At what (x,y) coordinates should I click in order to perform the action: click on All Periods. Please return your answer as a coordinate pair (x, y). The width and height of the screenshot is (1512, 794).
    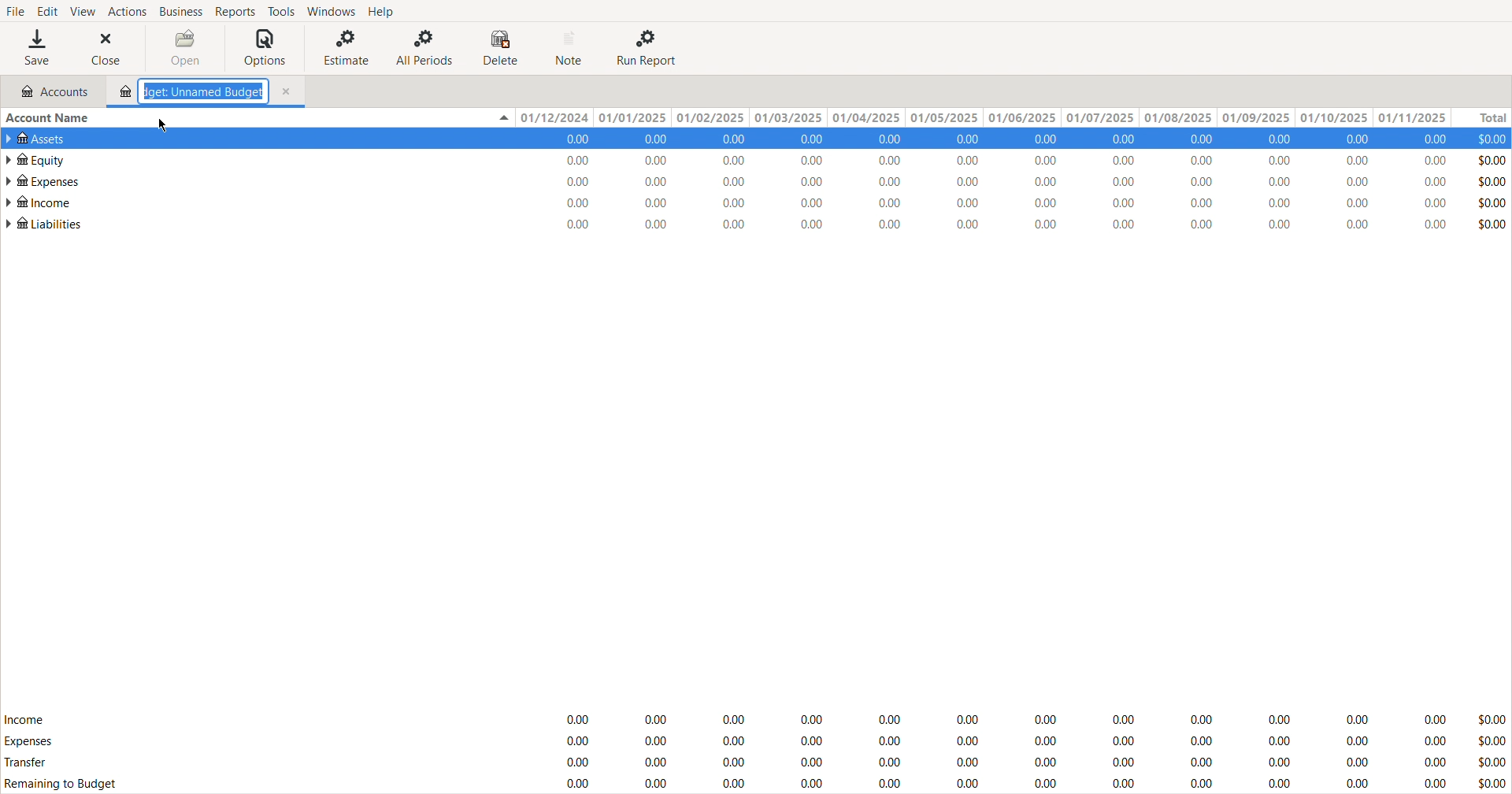
    Looking at the image, I should click on (426, 47).